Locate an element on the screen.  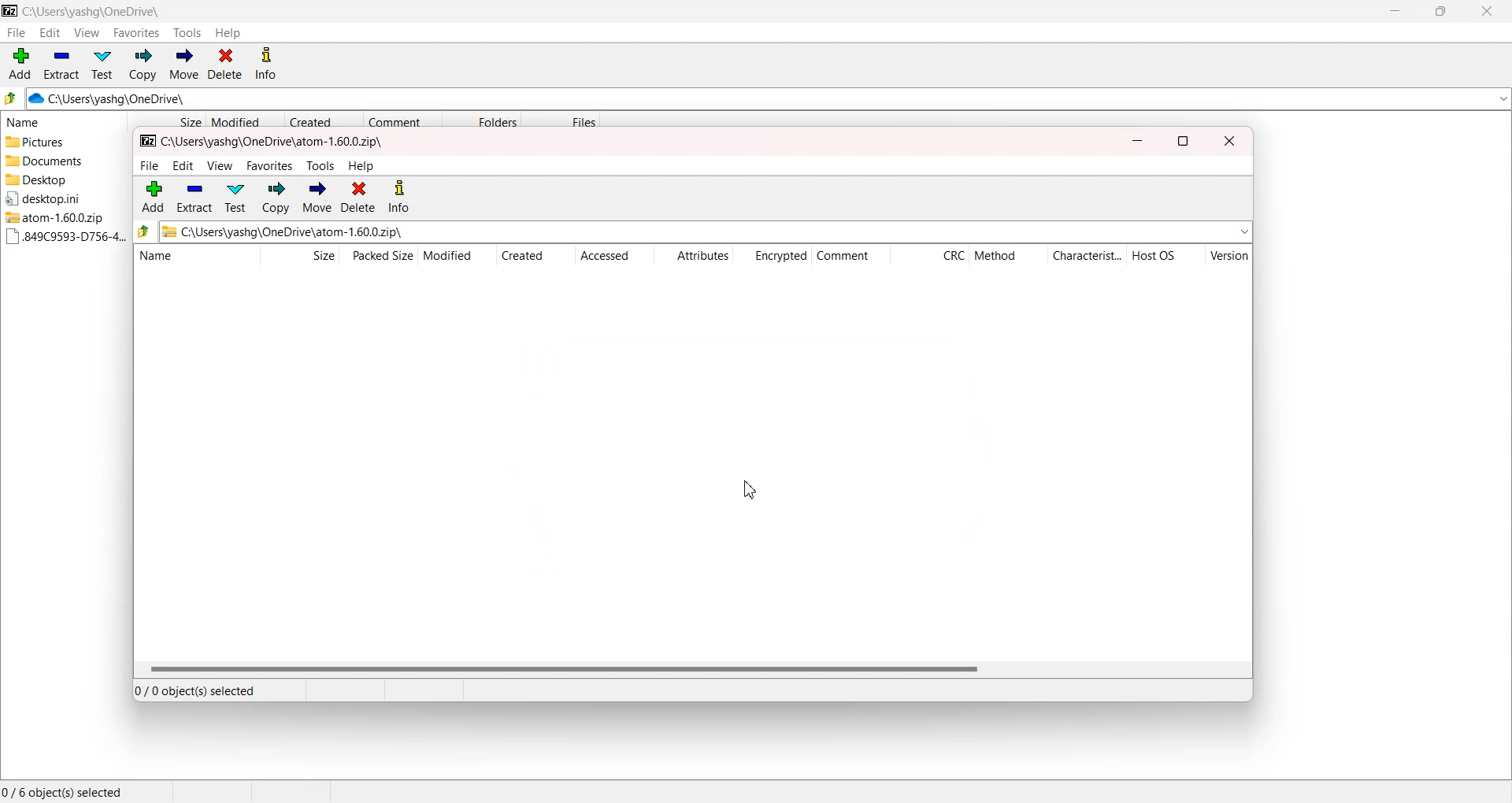
Tools is located at coordinates (188, 33).